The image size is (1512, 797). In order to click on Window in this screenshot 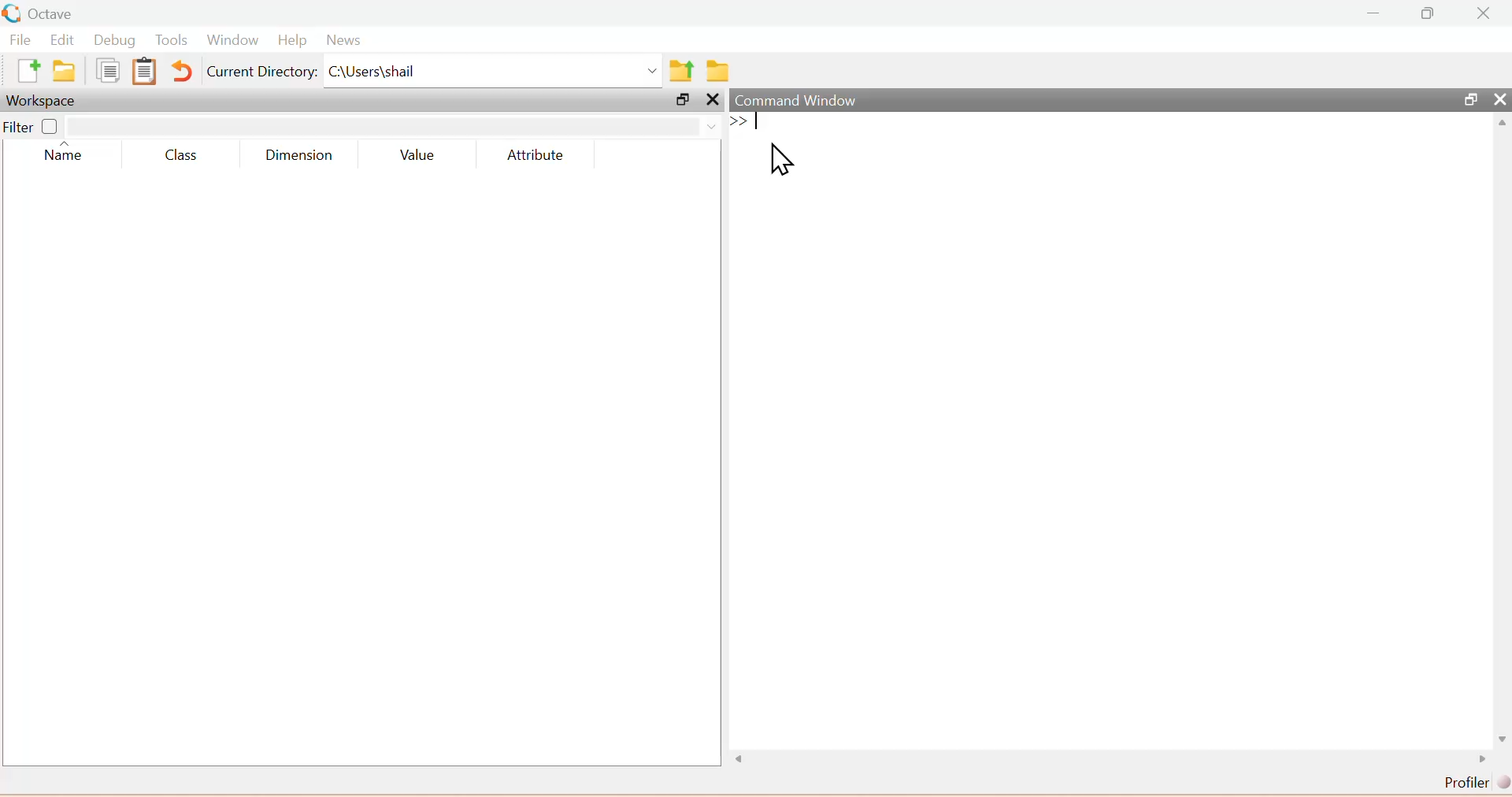, I will do `click(229, 42)`.